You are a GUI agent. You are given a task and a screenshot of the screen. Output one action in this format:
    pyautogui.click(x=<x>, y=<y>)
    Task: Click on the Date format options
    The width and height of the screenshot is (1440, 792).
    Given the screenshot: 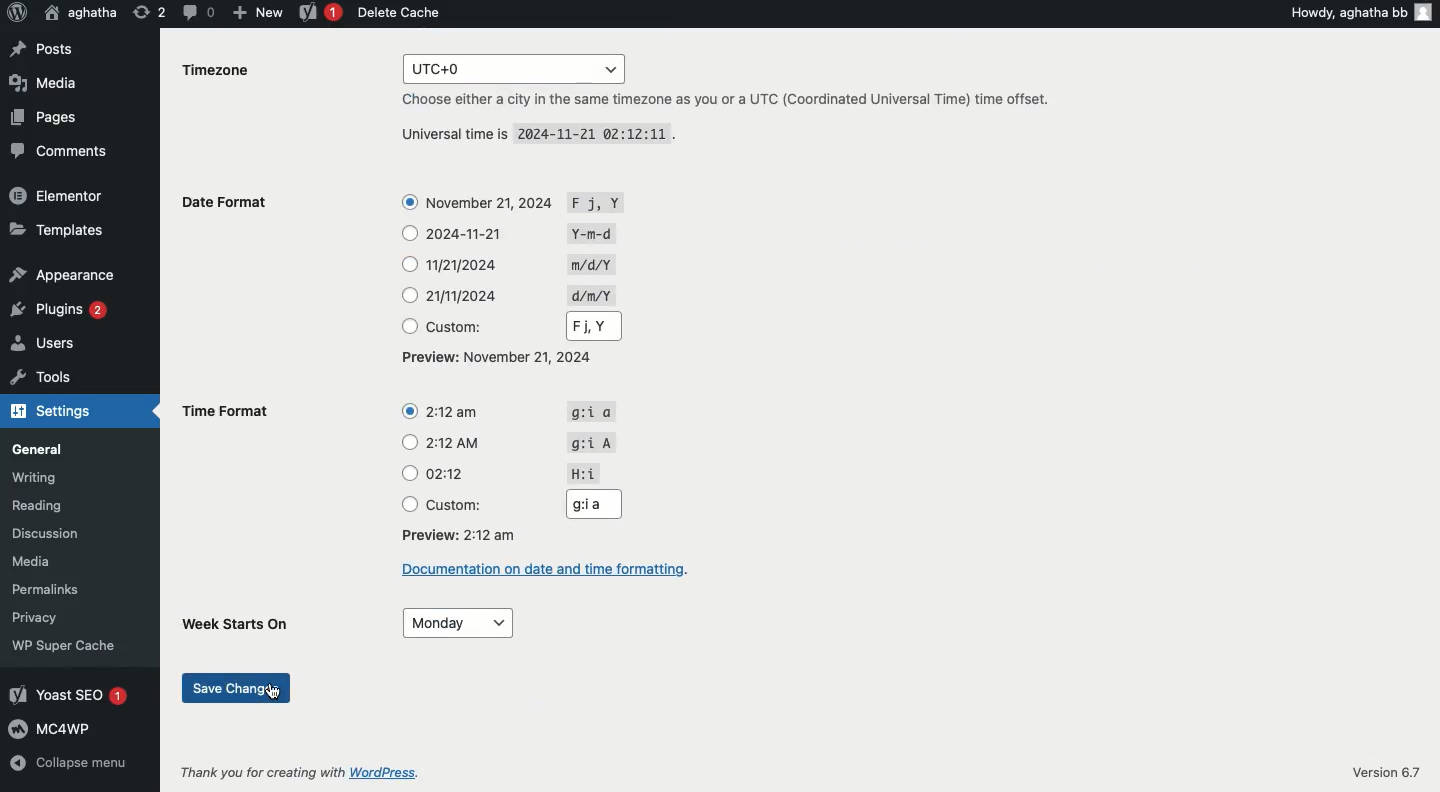 What is the action you would take?
    pyautogui.click(x=472, y=262)
    